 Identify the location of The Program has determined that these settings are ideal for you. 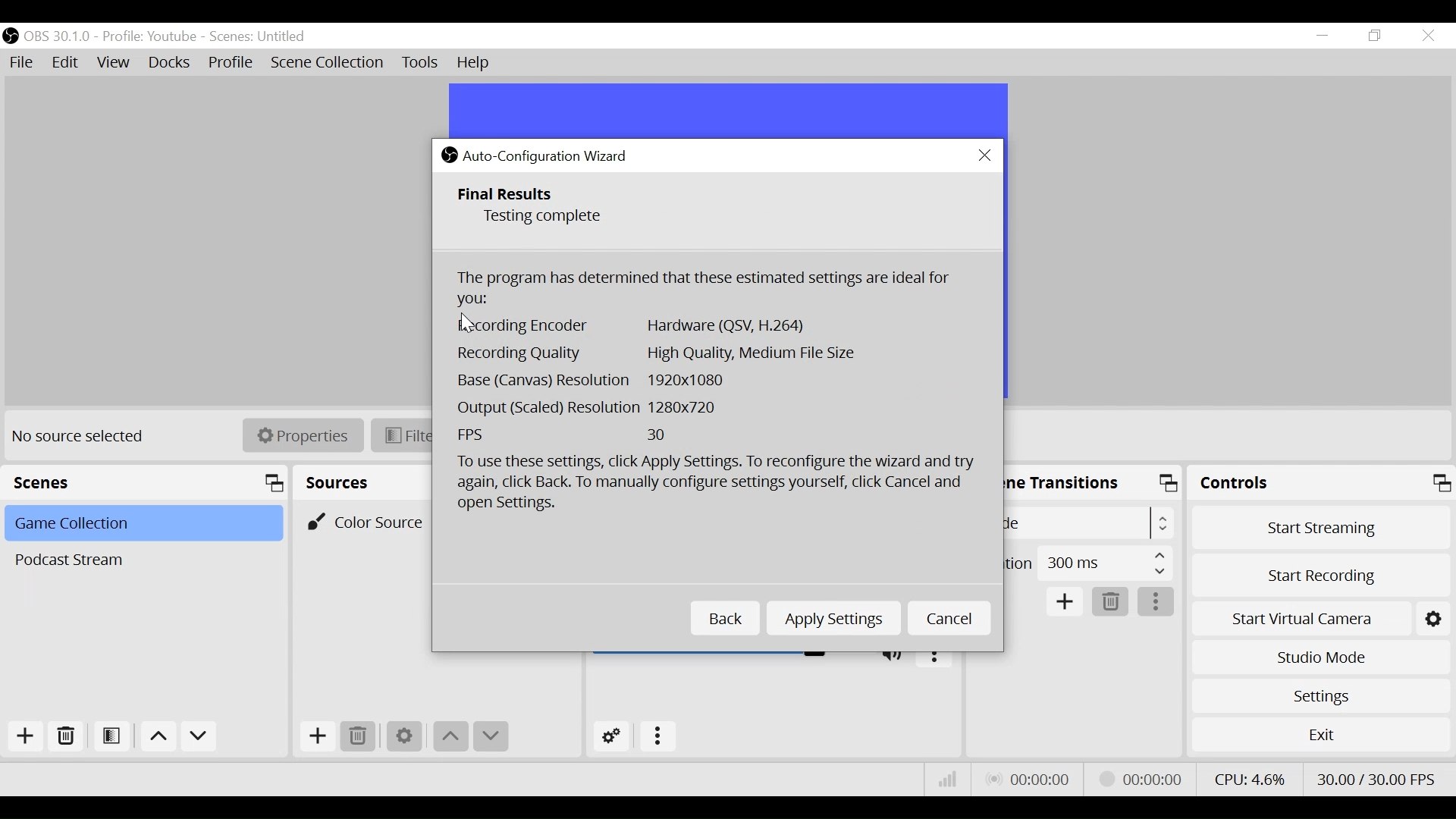
(709, 289).